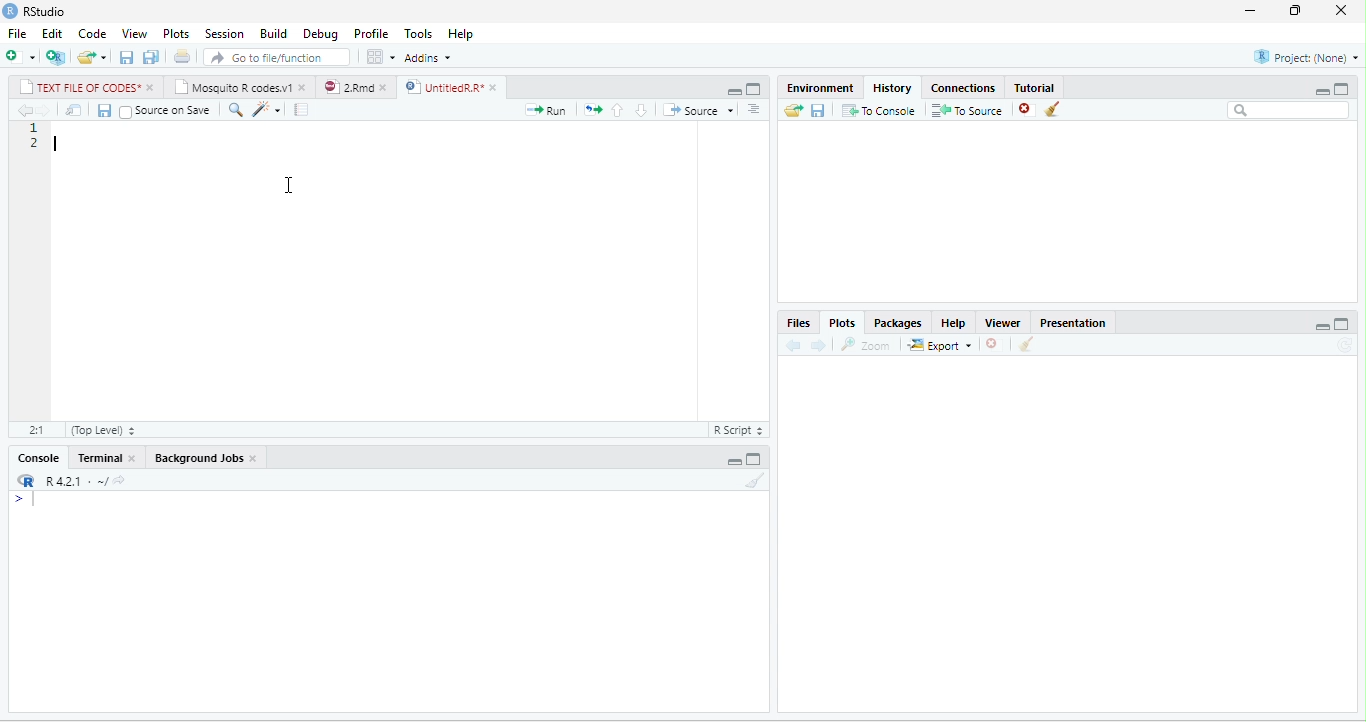 Image resolution: width=1366 pixels, height=722 pixels. What do you see at coordinates (794, 345) in the screenshot?
I see `back` at bounding box center [794, 345].